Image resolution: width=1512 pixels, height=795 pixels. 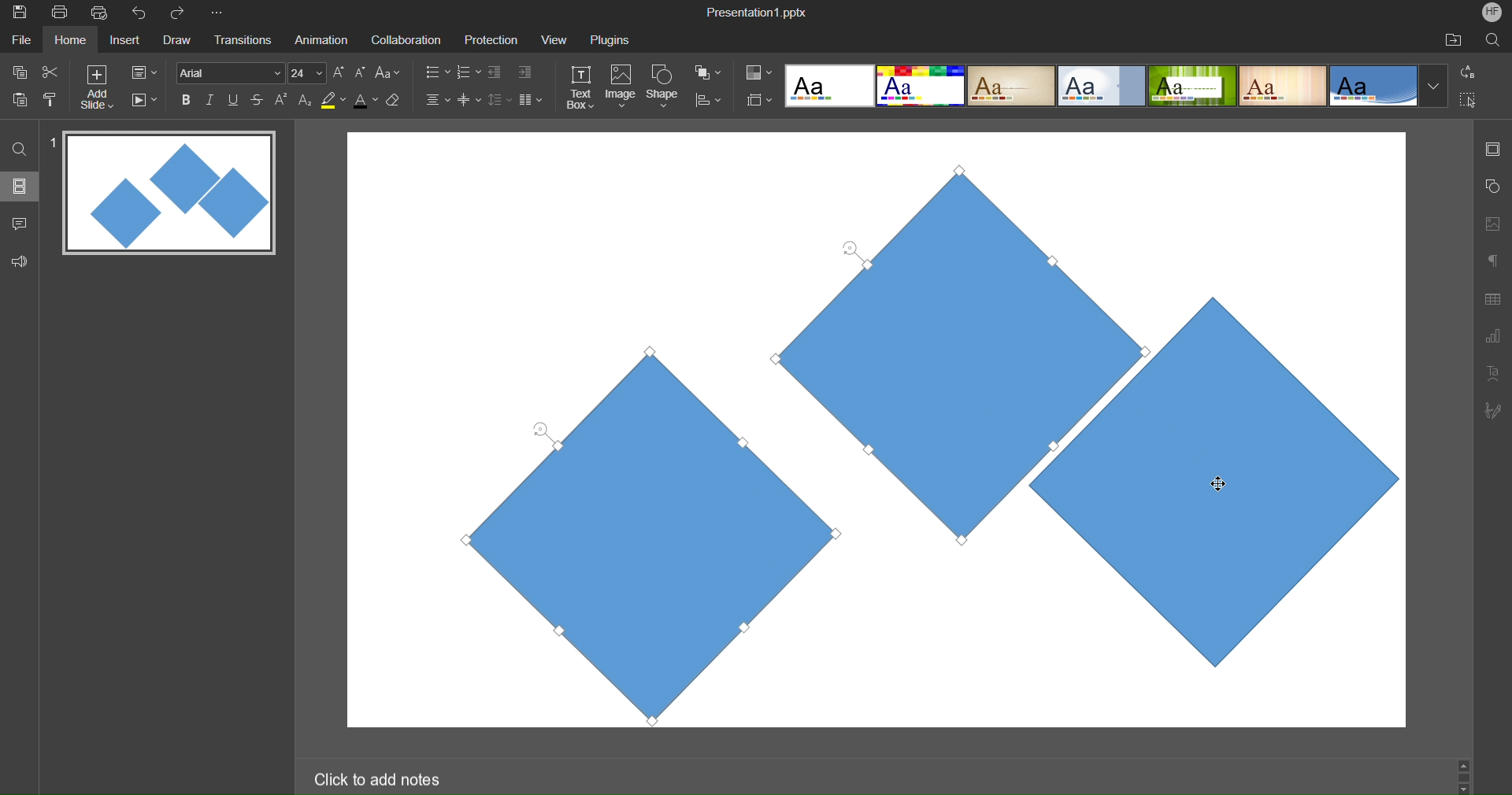 What do you see at coordinates (532, 99) in the screenshot?
I see `Columns` at bounding box center [532, 99].